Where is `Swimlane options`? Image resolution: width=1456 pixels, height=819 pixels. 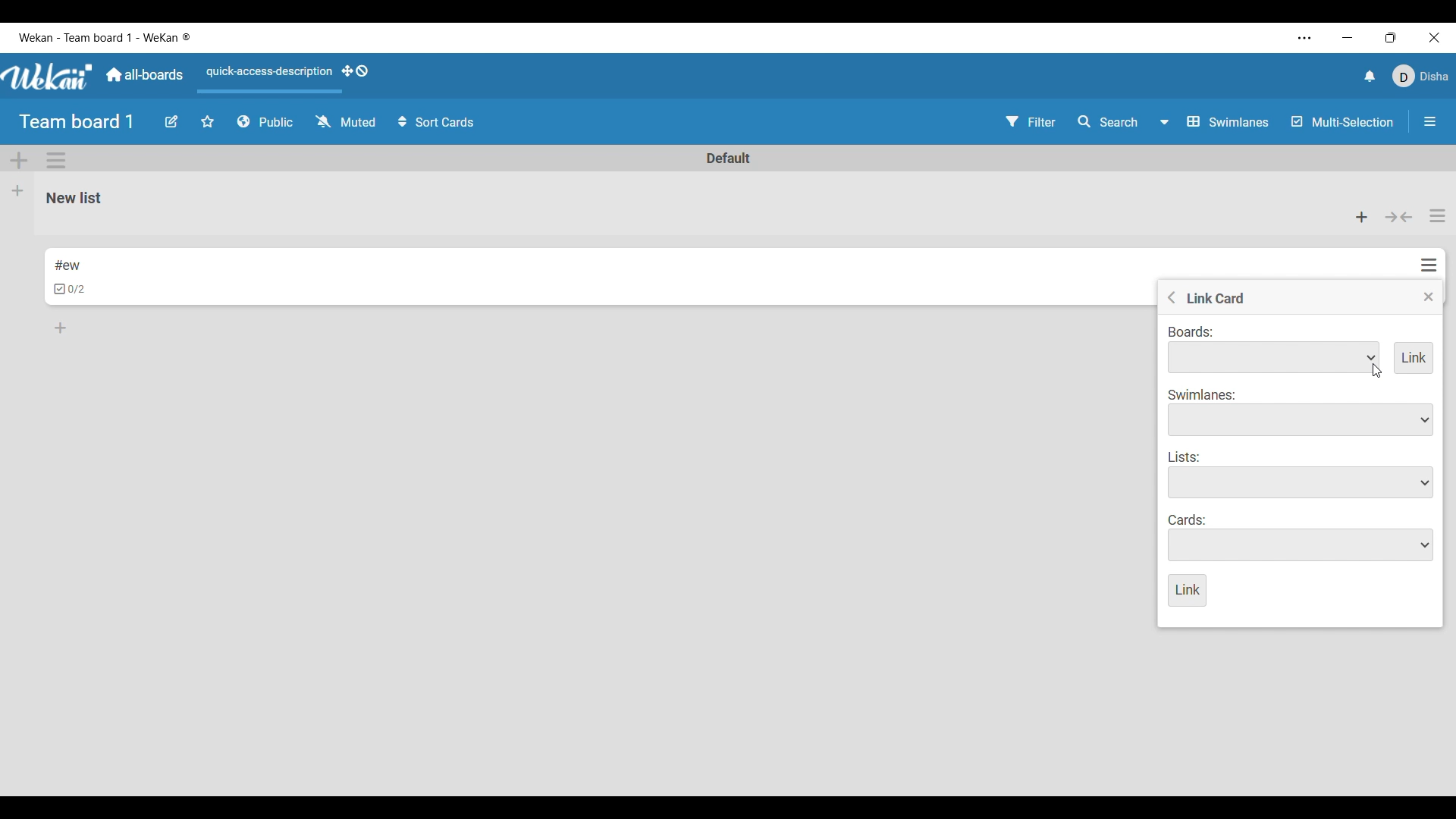
Swimlane options is located at coordinates (1301, 420).